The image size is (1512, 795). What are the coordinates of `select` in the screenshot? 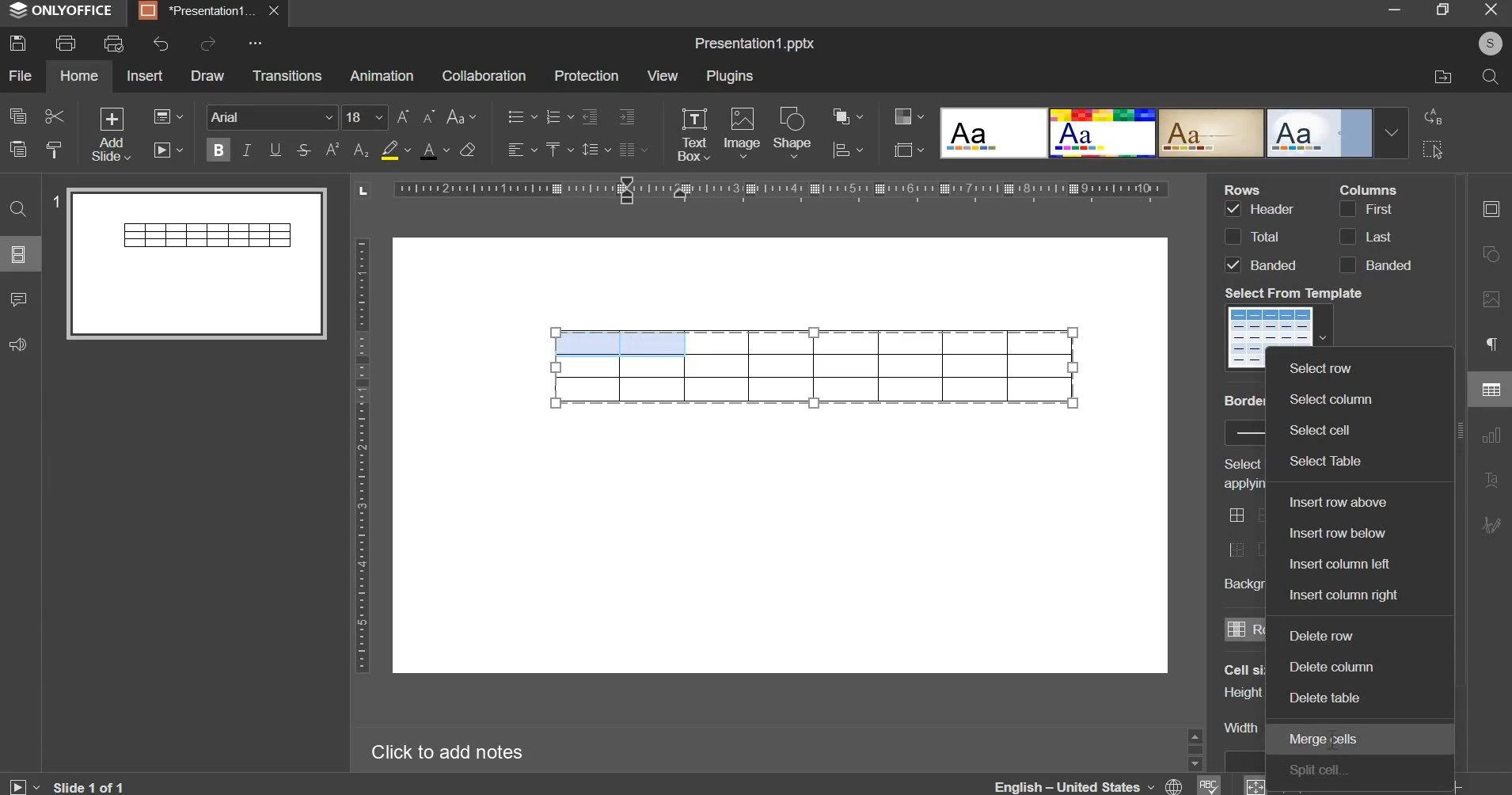 It's located at (1433, 151).